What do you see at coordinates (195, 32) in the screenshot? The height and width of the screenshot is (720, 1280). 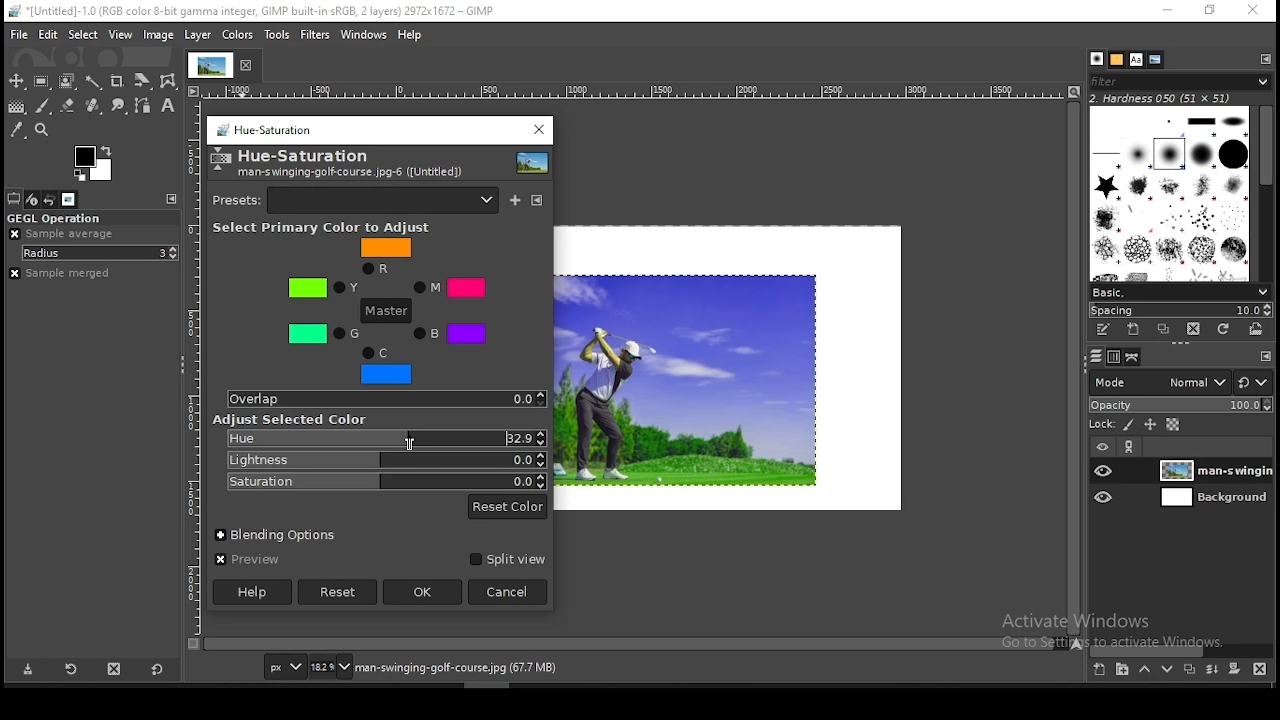 I see `layer` at bounding box center [195, 32].